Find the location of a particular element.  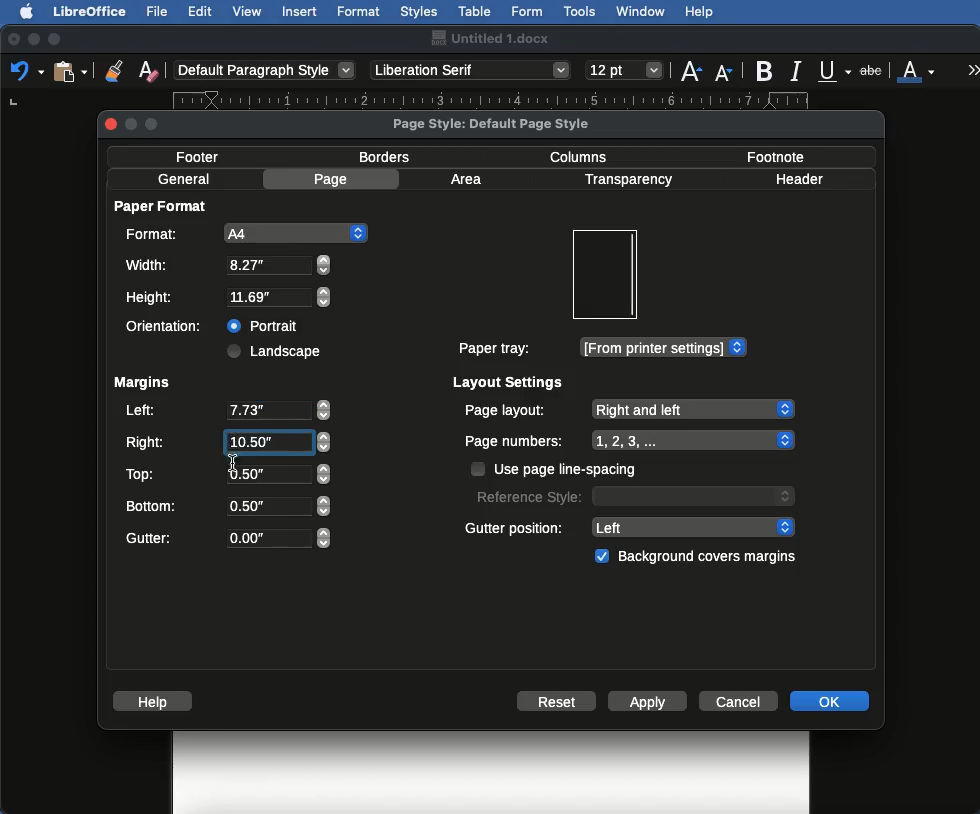

Landscape is located at coordinates (277, 351).